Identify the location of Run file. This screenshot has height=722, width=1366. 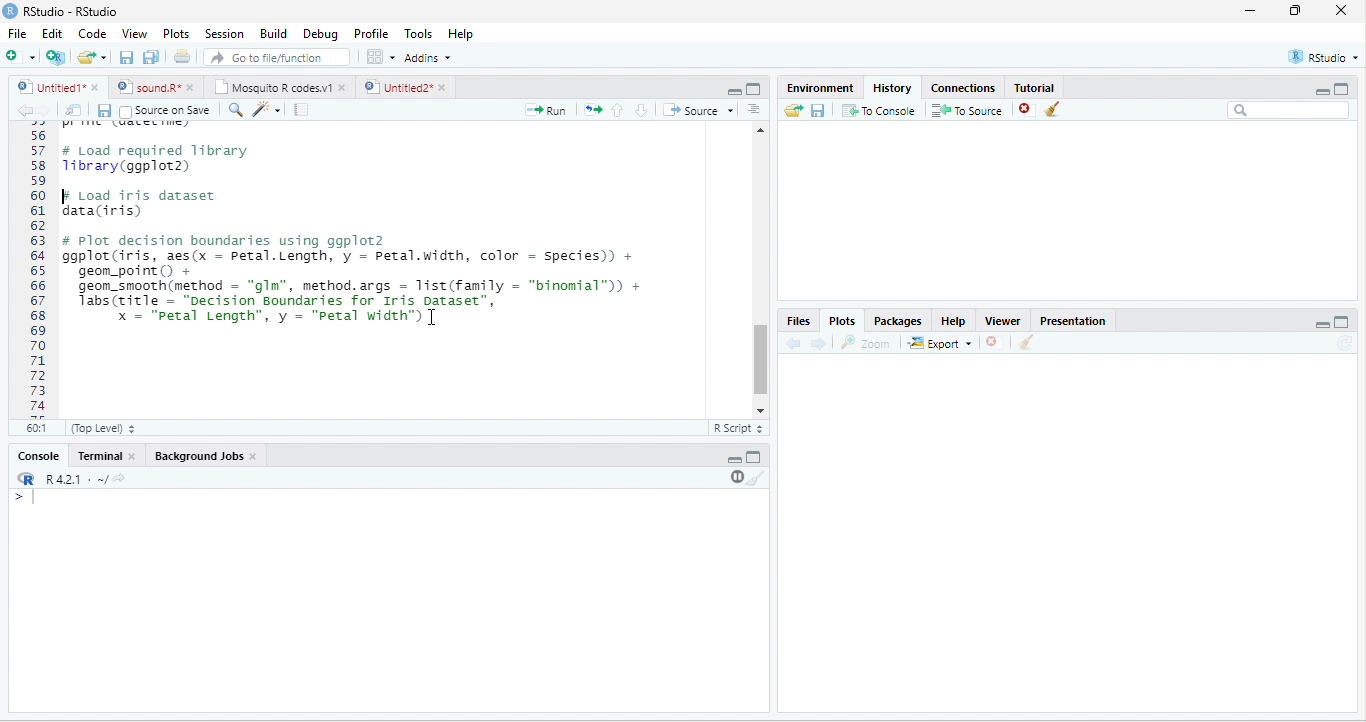
(545, 110).